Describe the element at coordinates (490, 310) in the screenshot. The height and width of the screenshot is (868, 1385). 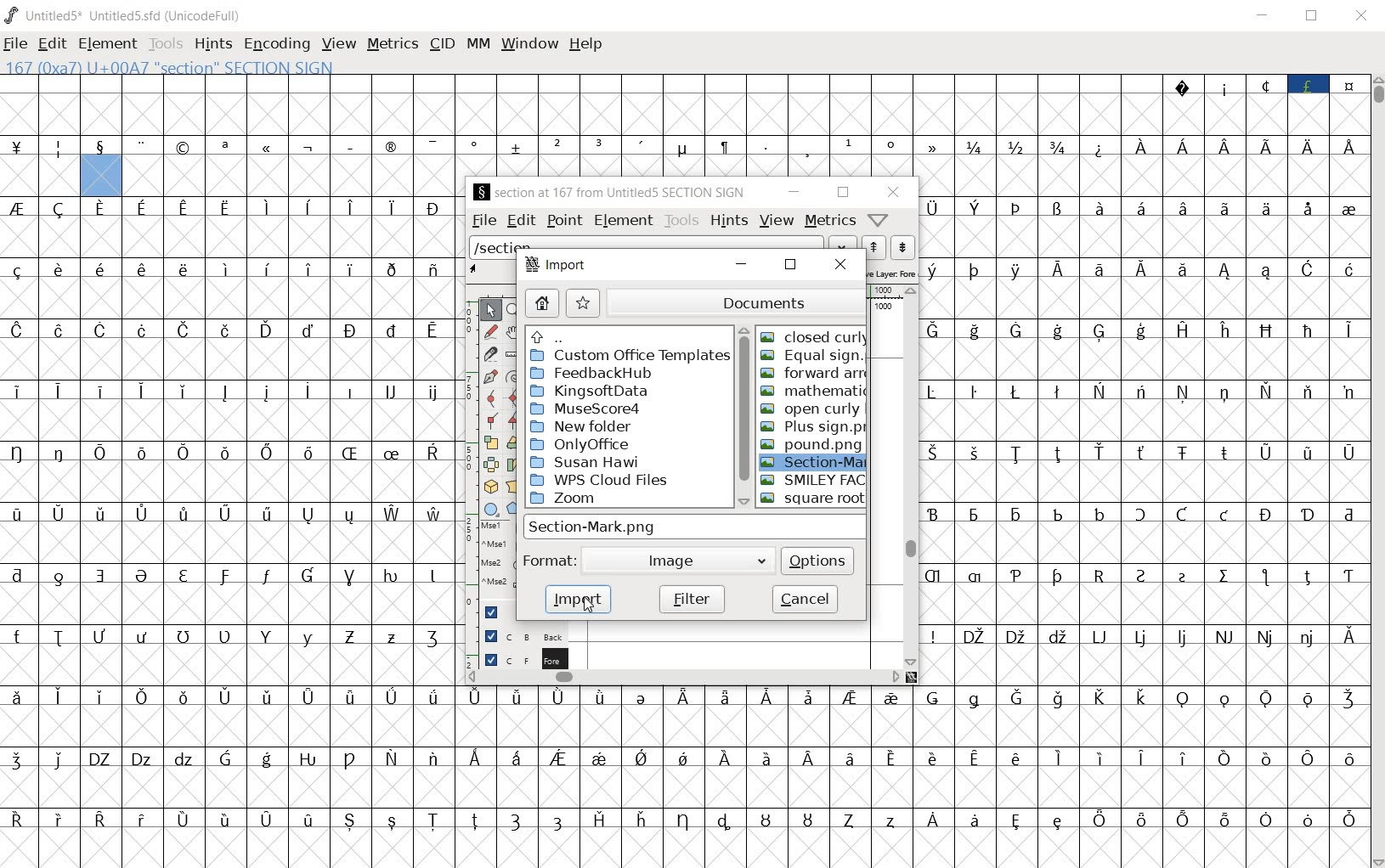
I see `POINTER` at that location.